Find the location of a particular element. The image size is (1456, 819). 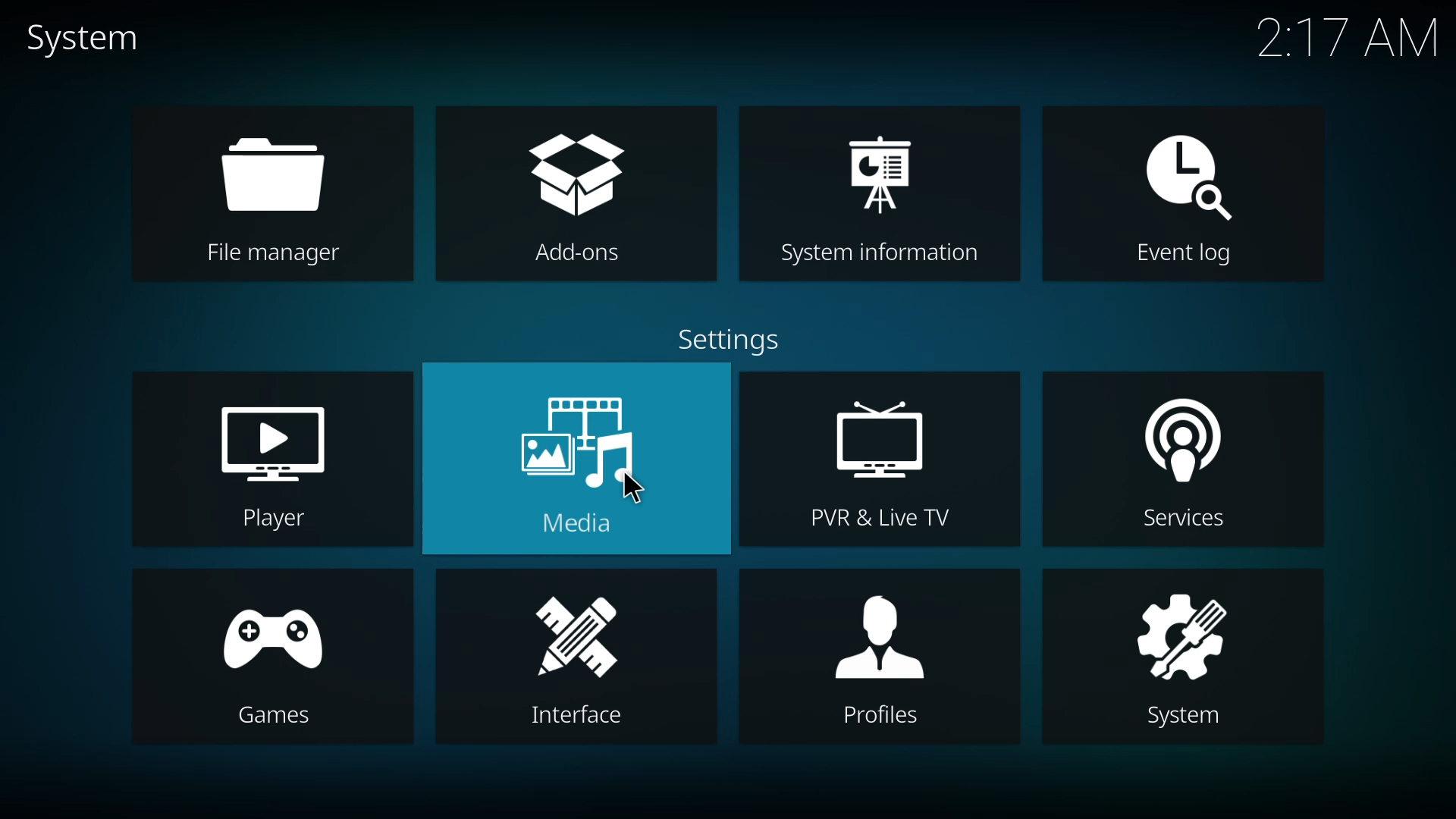

system is located at coordinates (91, 39).